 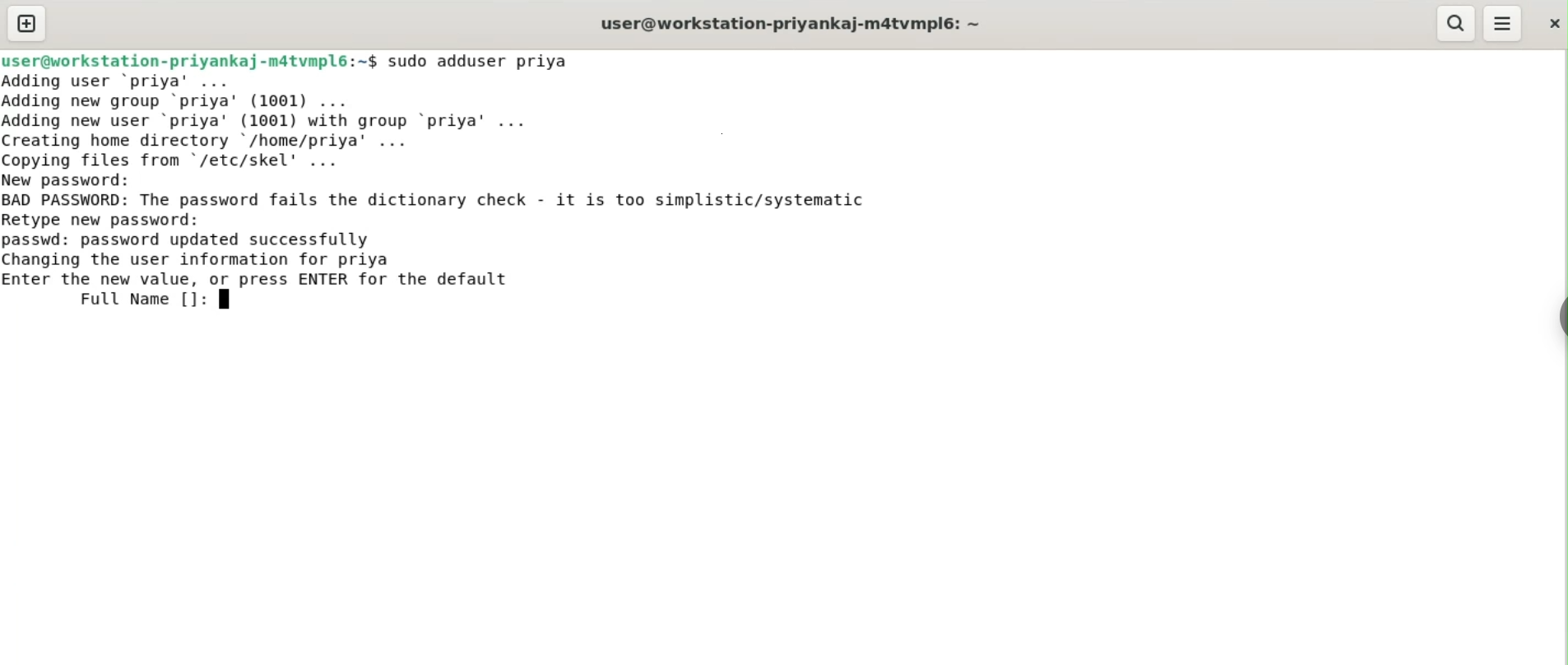 I want to click on user@workstation-priyankaj-m4tvmpl6:~, so click(x=787, y=23).